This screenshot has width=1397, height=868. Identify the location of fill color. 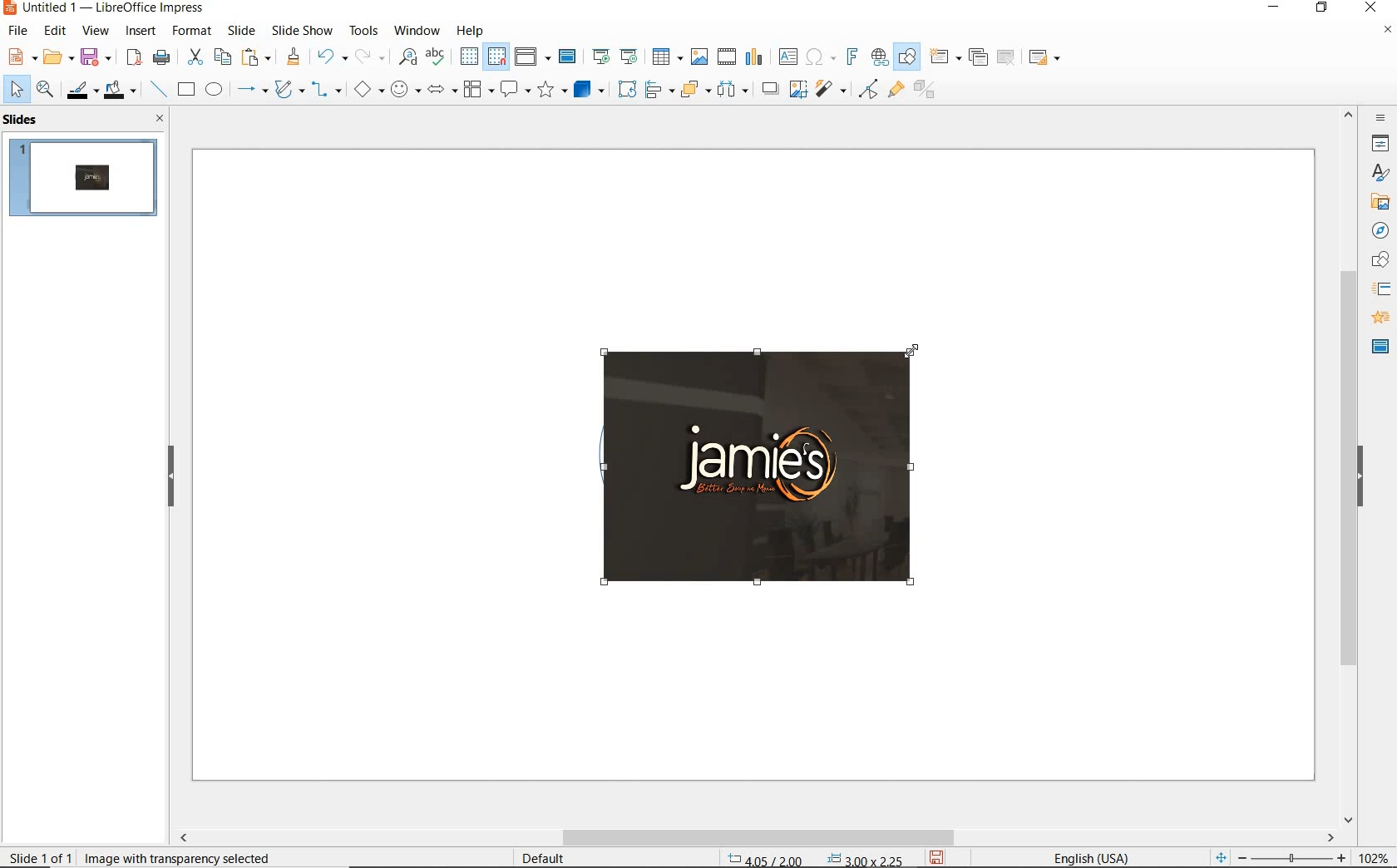
(122, 91).